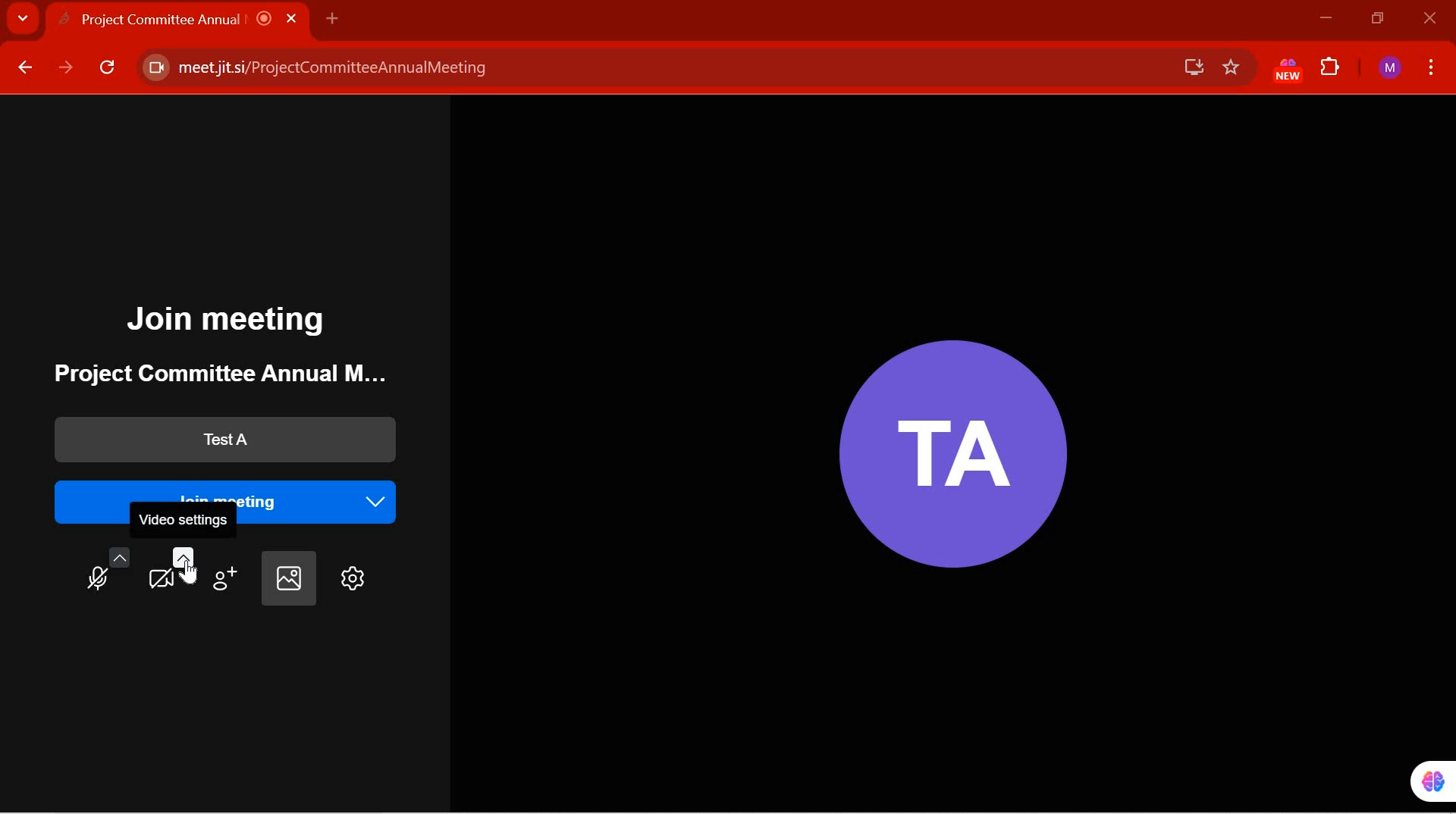 Image resolution: width=1456 pixels, height=814 pixels. I want to click on Test A, so click(219, 440).